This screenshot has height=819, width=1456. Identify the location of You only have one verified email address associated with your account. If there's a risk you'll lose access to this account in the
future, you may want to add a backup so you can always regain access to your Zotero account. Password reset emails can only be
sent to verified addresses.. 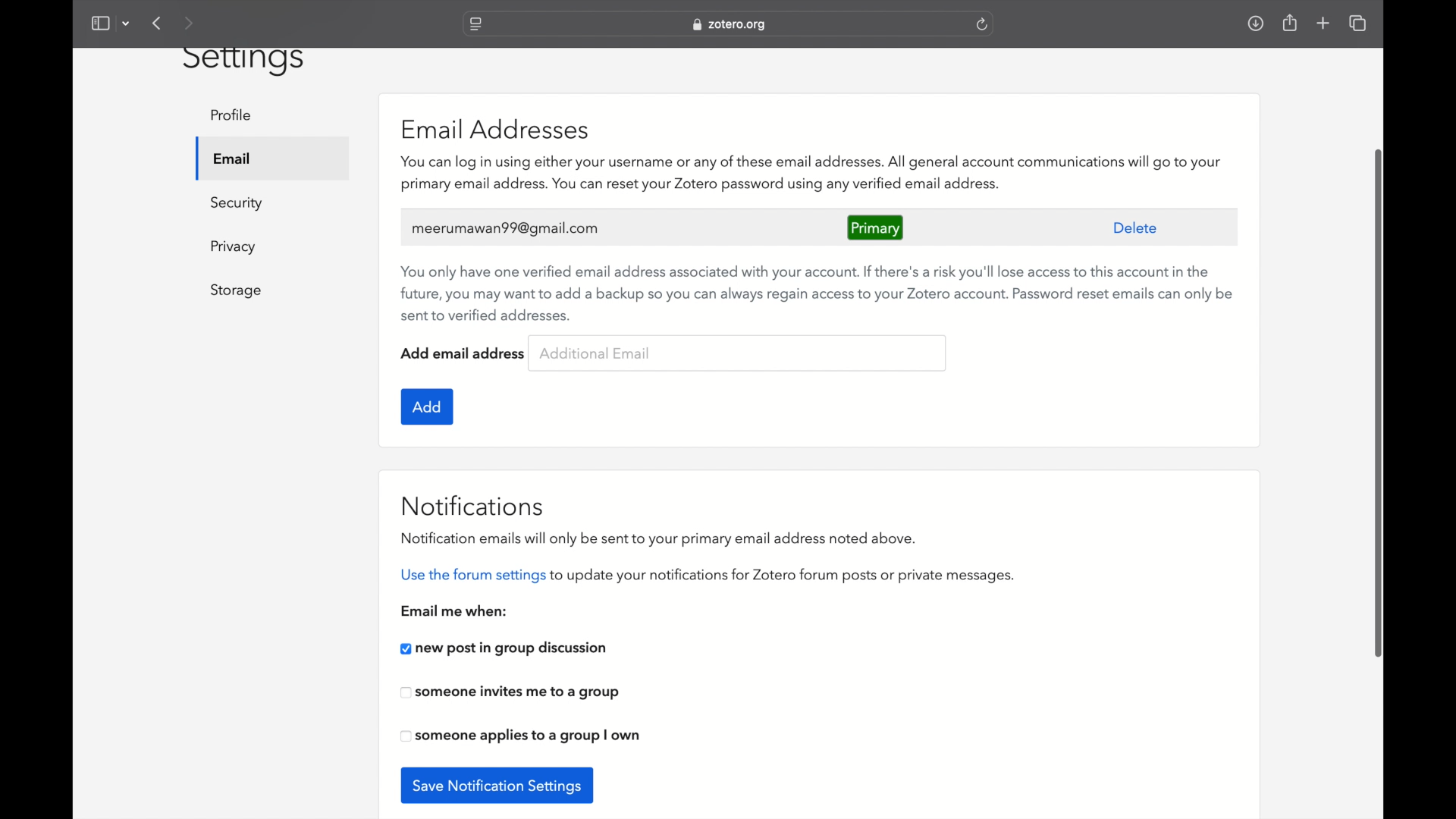
(812, 291).